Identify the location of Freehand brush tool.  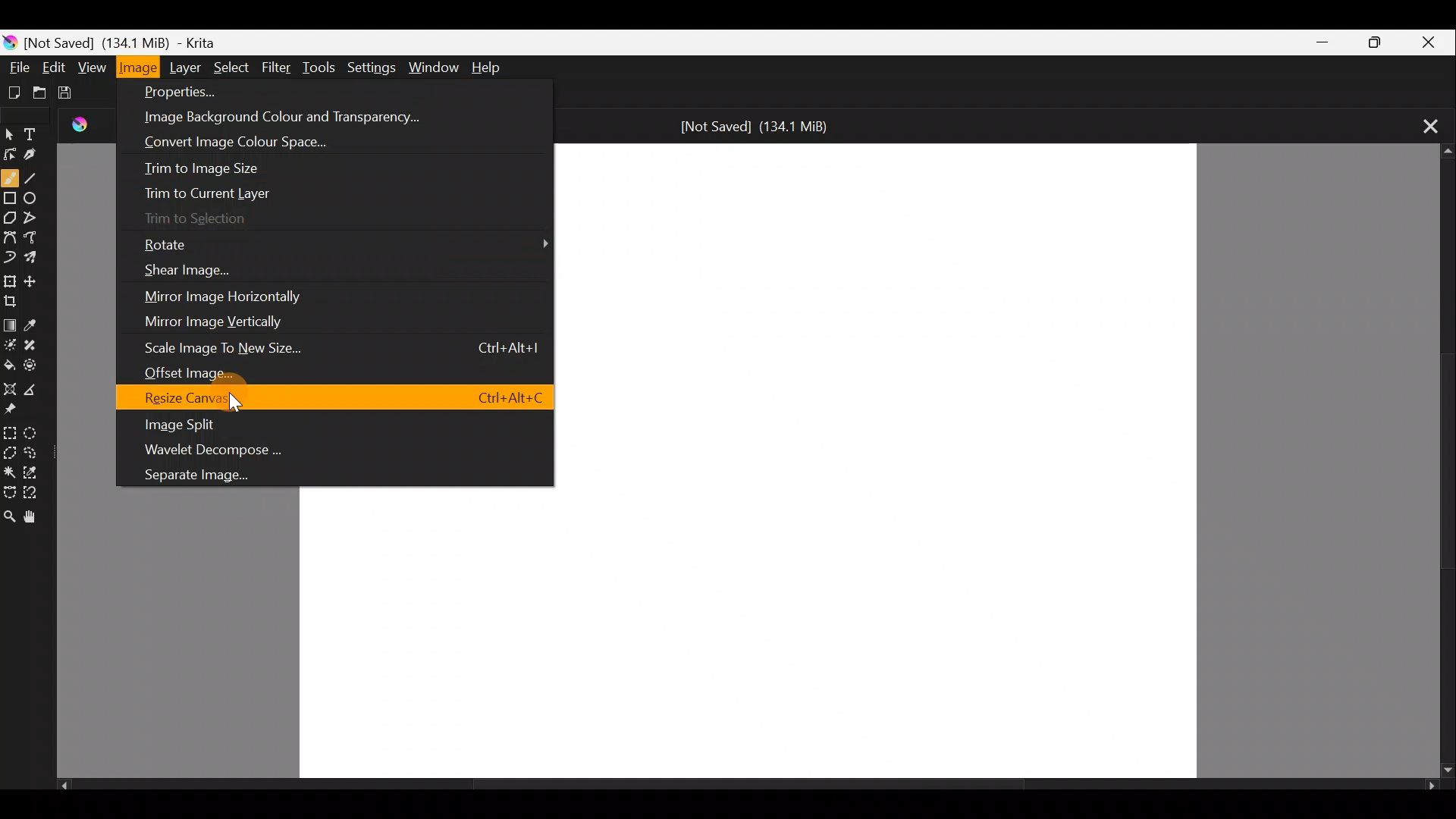
(10, 177).